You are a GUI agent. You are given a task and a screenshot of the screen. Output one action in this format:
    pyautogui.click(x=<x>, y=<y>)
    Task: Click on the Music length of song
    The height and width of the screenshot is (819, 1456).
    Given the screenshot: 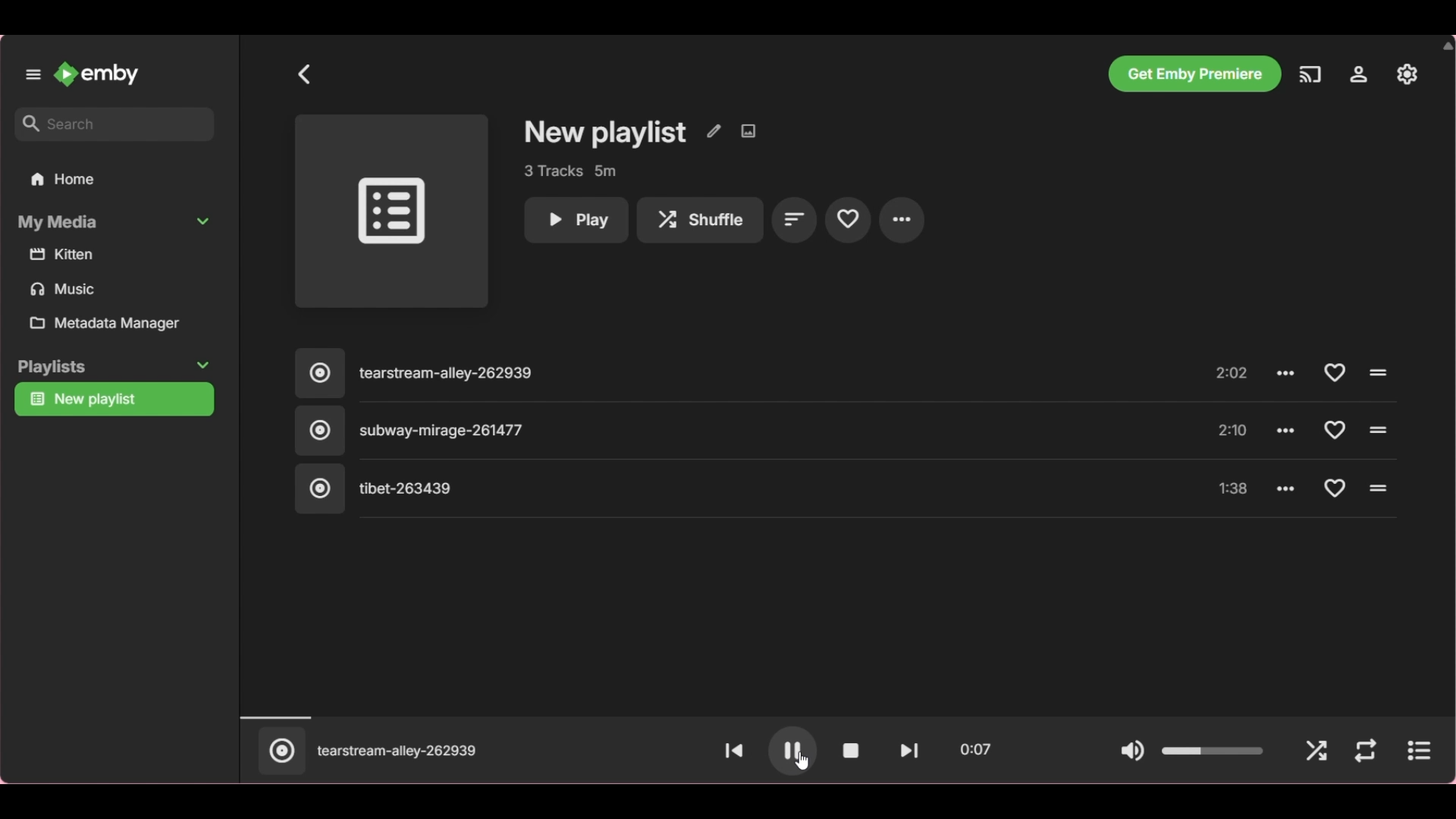 What is the action you would take?
    pyautogui.click(x=1234, y=431)
    